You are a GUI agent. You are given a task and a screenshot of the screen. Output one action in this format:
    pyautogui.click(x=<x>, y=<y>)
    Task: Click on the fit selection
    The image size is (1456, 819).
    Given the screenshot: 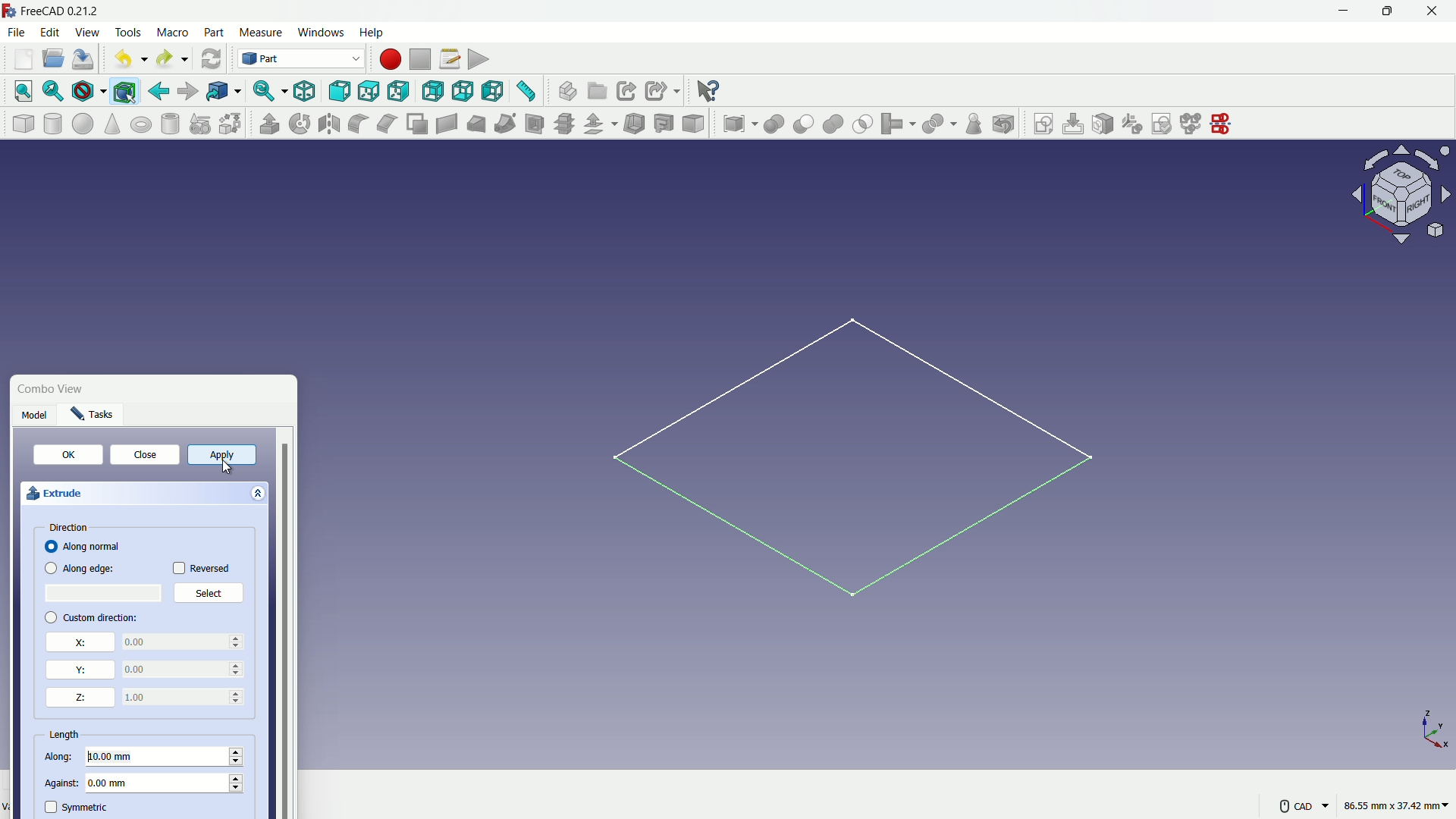 What is the action you would take?
    pyautogui.click(x=55, y=90)
    